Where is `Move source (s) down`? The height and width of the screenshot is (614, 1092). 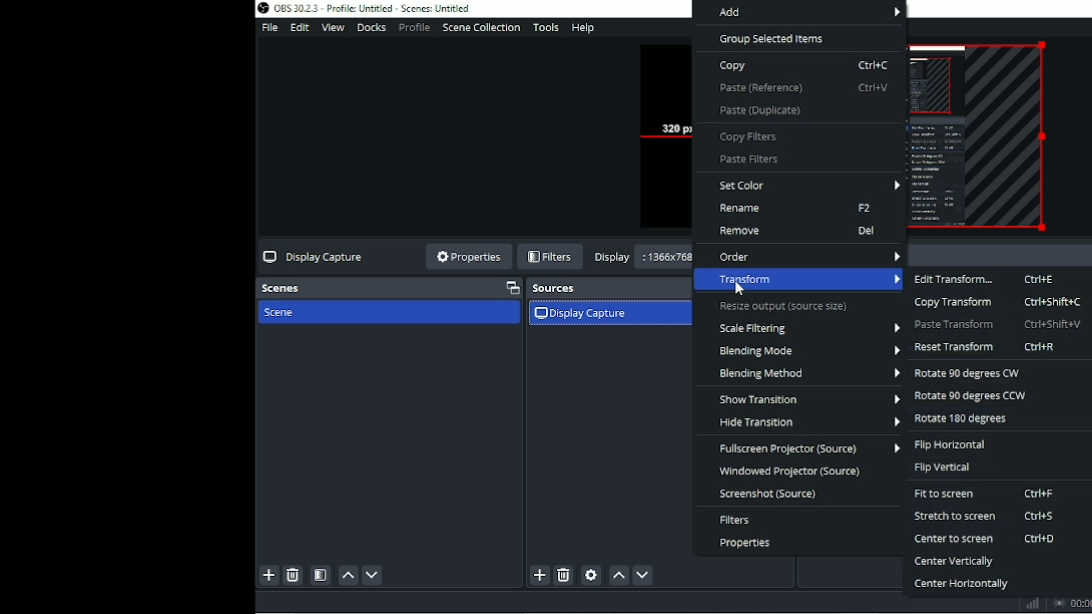
Move source (s) down is located at coordinates (644, 575).